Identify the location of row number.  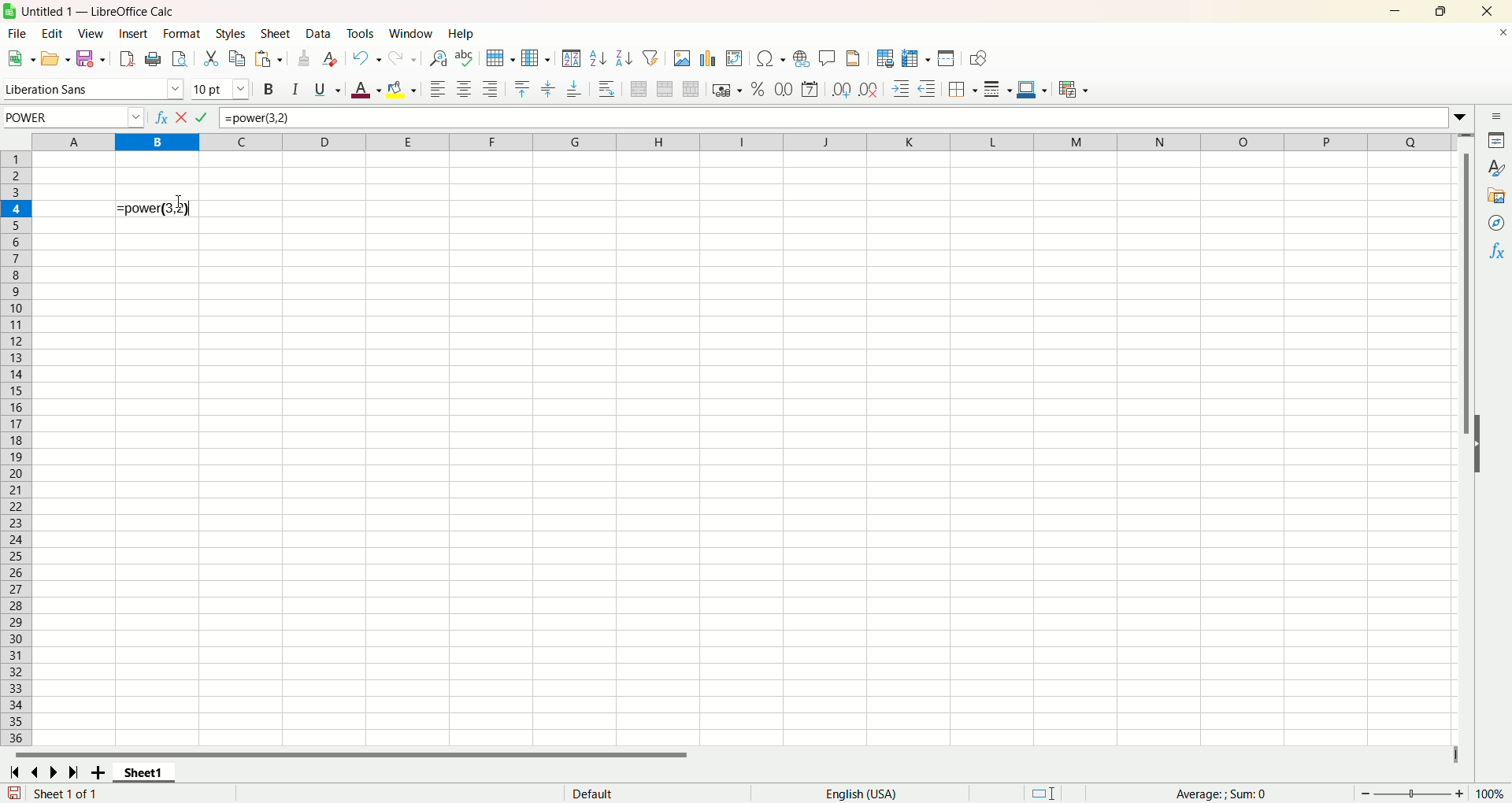
(17, 449).